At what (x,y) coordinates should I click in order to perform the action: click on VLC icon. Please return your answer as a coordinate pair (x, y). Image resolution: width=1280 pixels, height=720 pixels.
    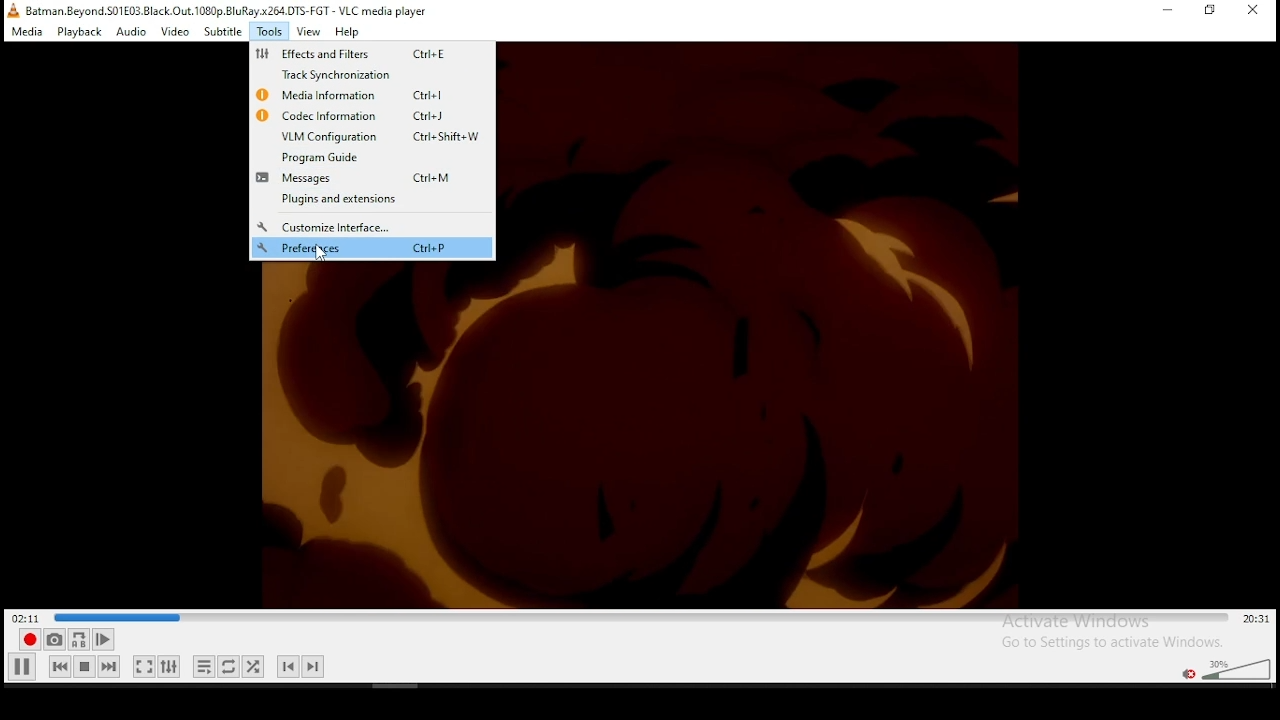
    Looking at the image, I should click on (12, 10).